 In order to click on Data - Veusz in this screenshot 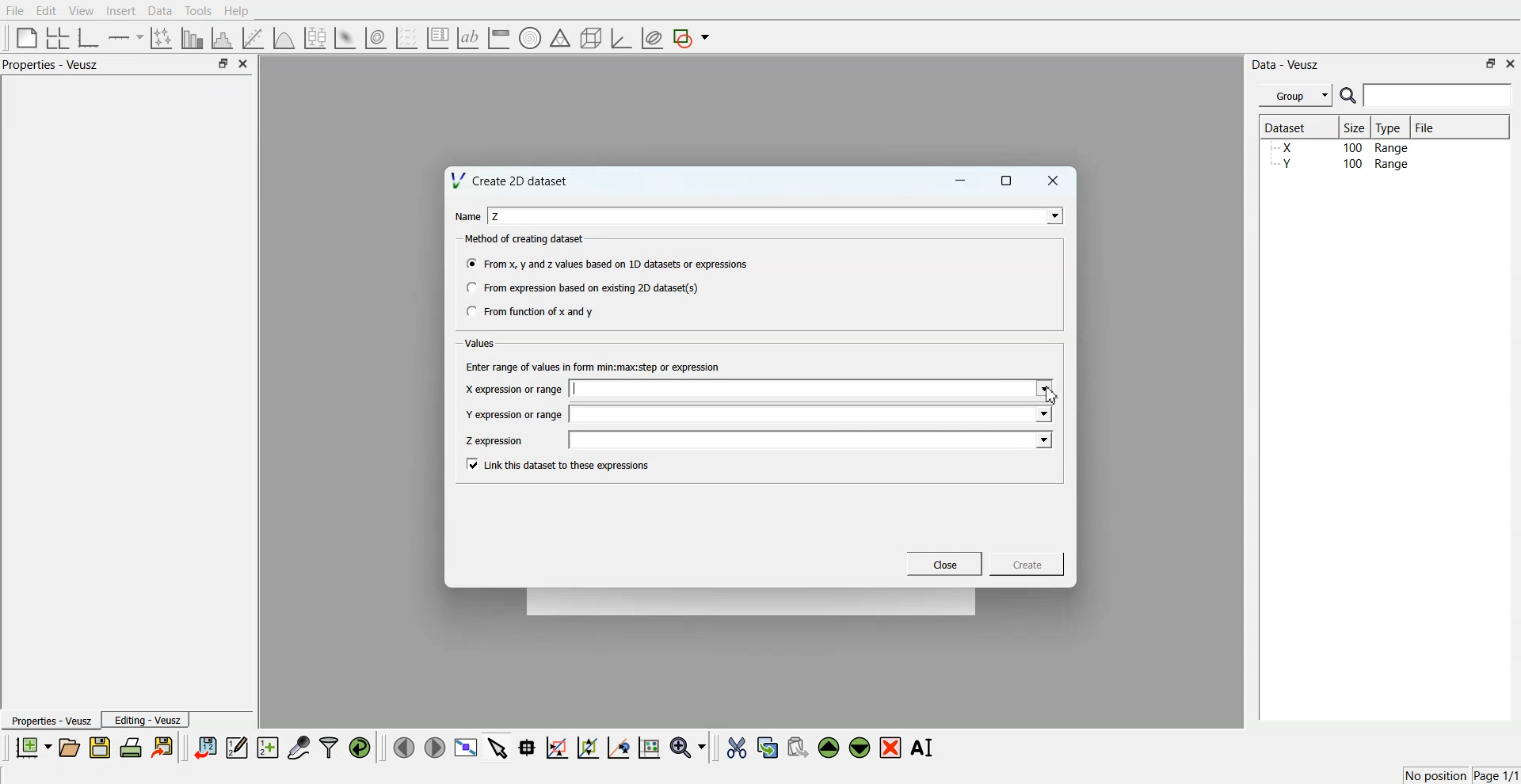, I will do `click(1285, 65)`.